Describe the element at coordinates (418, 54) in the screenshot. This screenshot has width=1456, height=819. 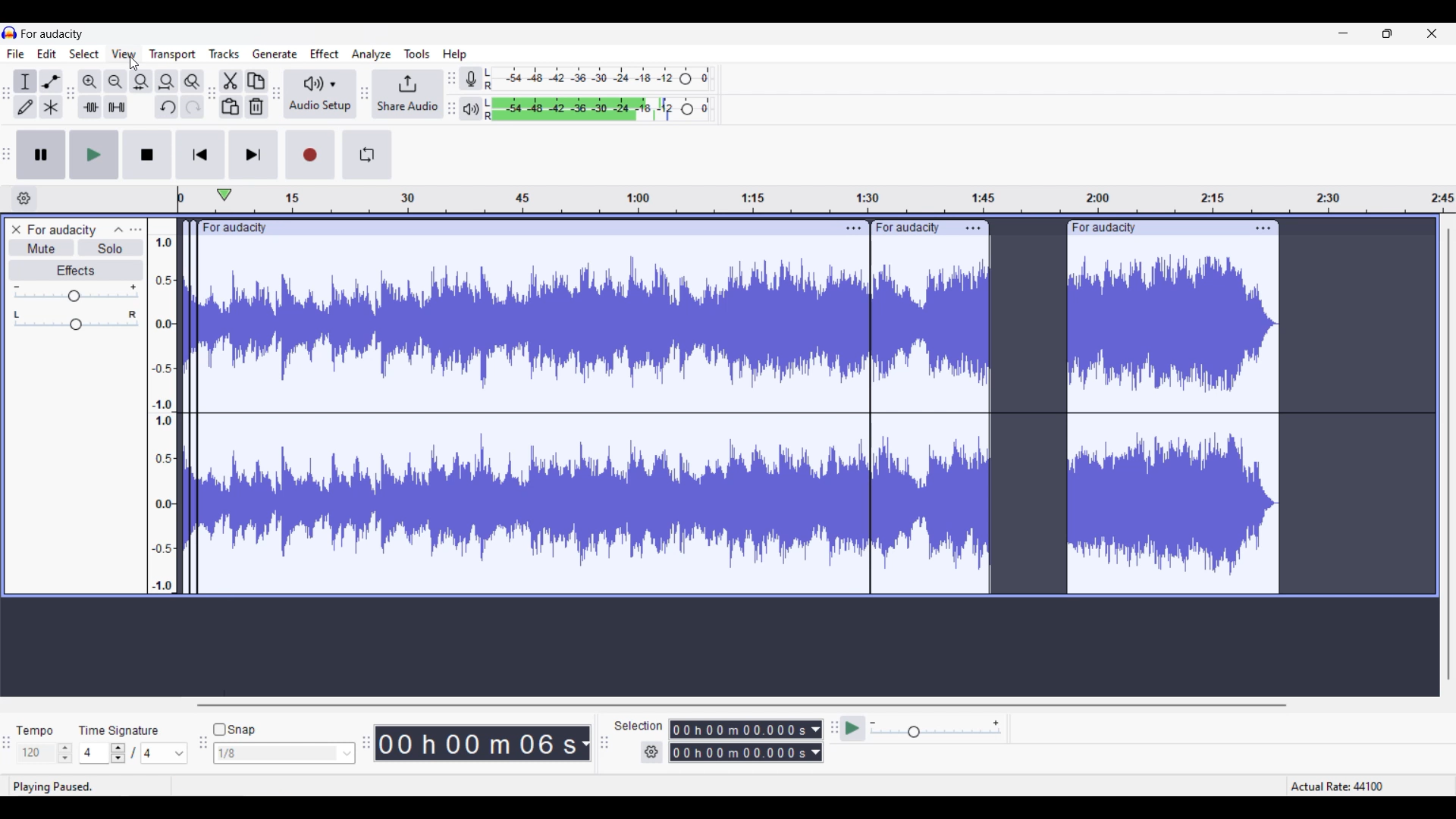
I see `Tools menu` at that location.